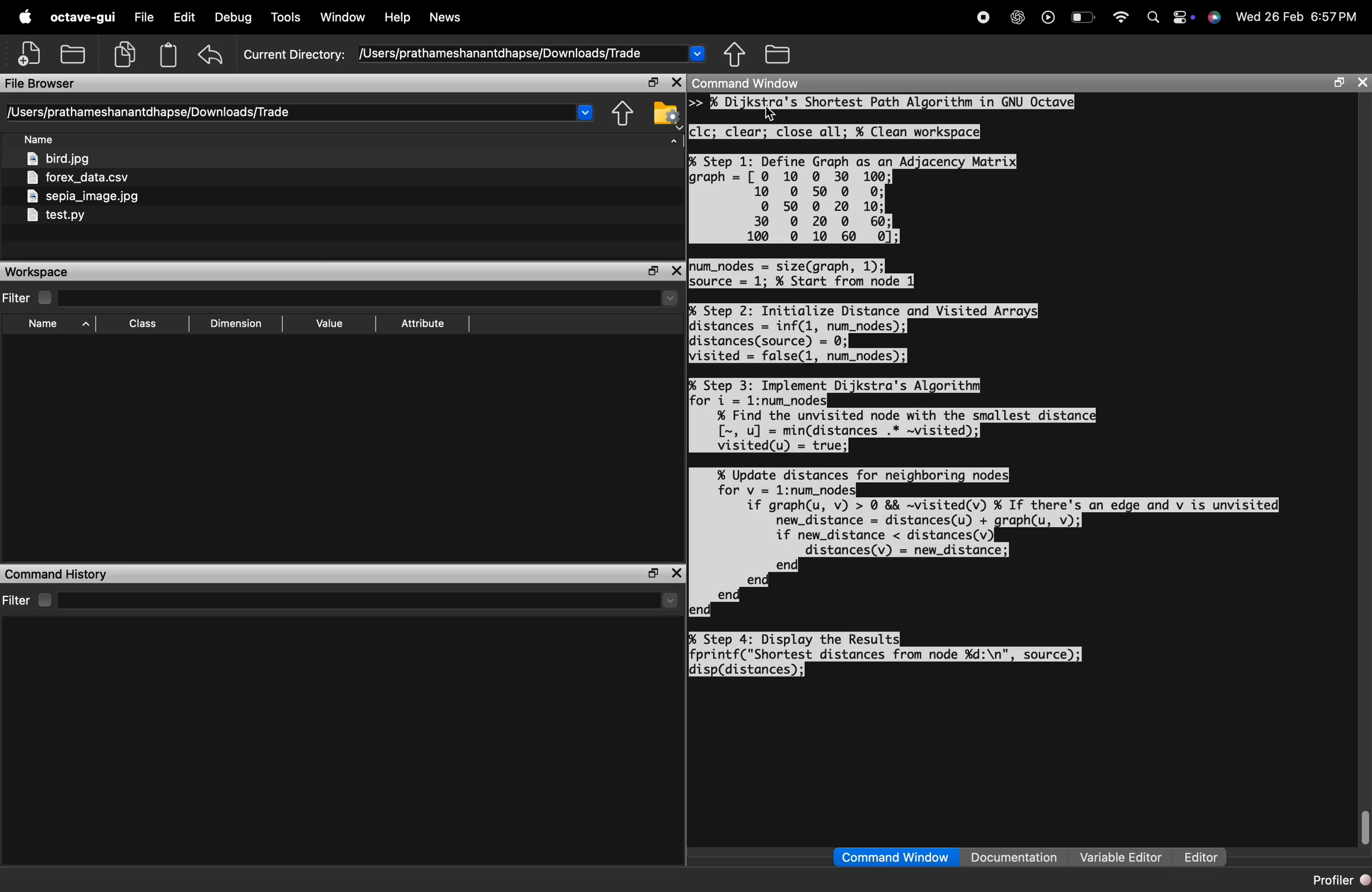 The height and width of the screenshot is (892, 1372). I want to click on battery, so click(1086, 18).